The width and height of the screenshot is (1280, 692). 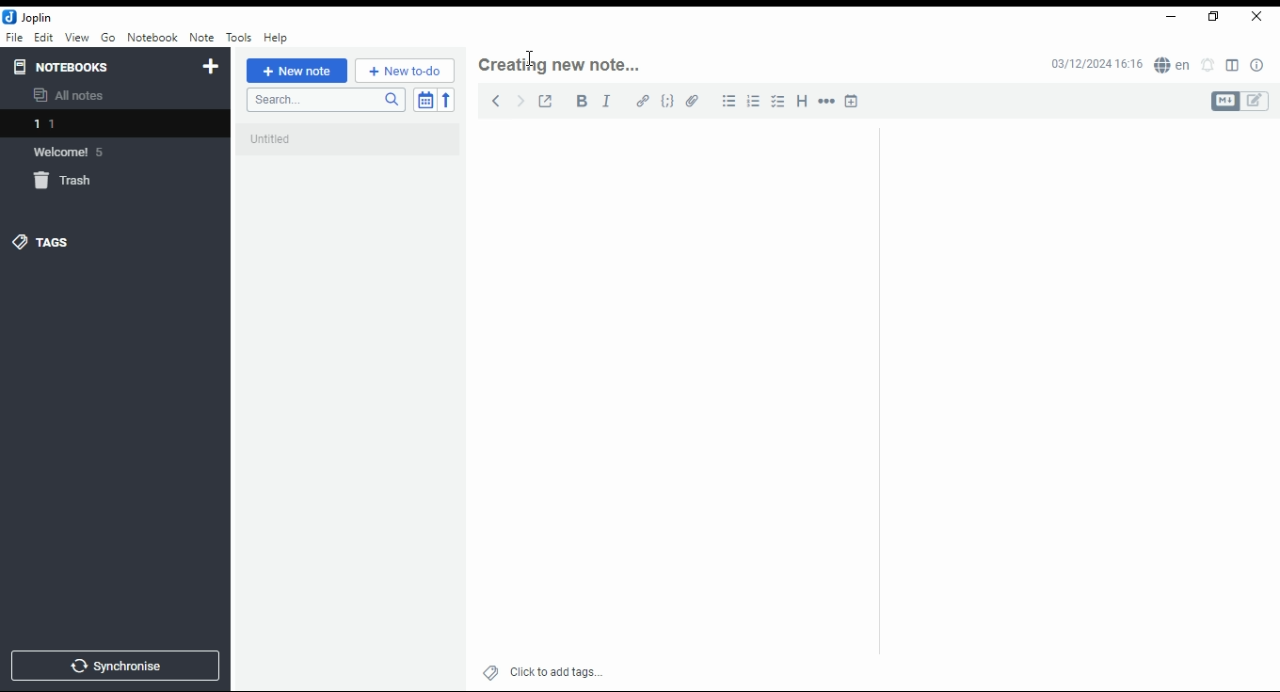 I want to click on hyperlink, so click(x=643, y=100).